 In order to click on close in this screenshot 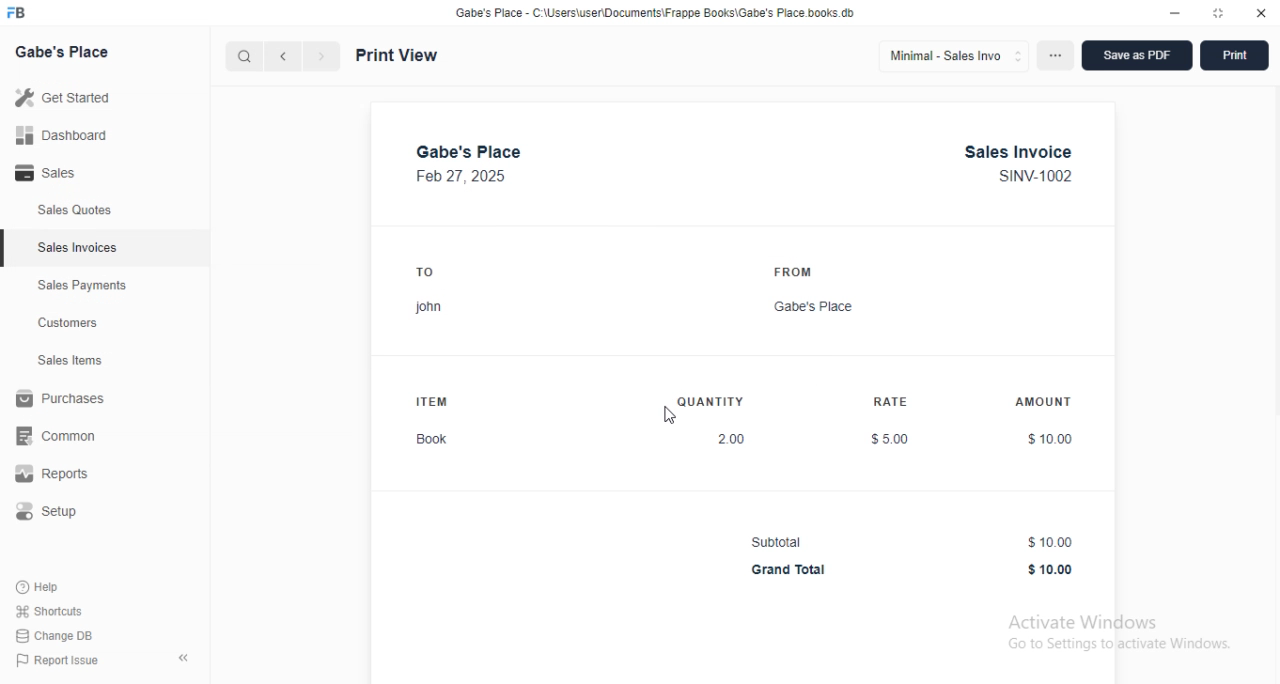, I will do `click(1260, 12)`.